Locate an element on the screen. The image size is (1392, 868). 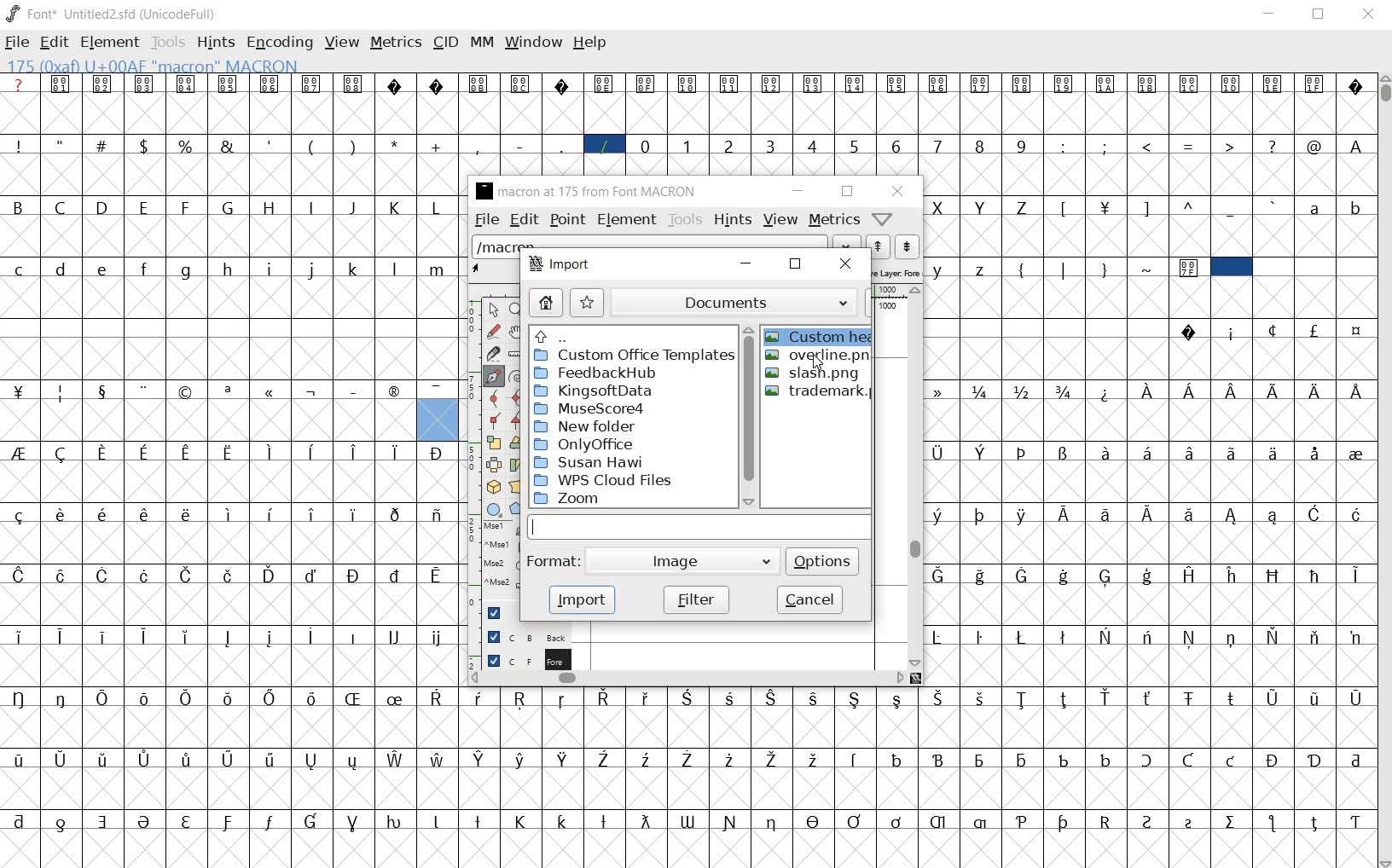
& is located at coordinates (229, 146).